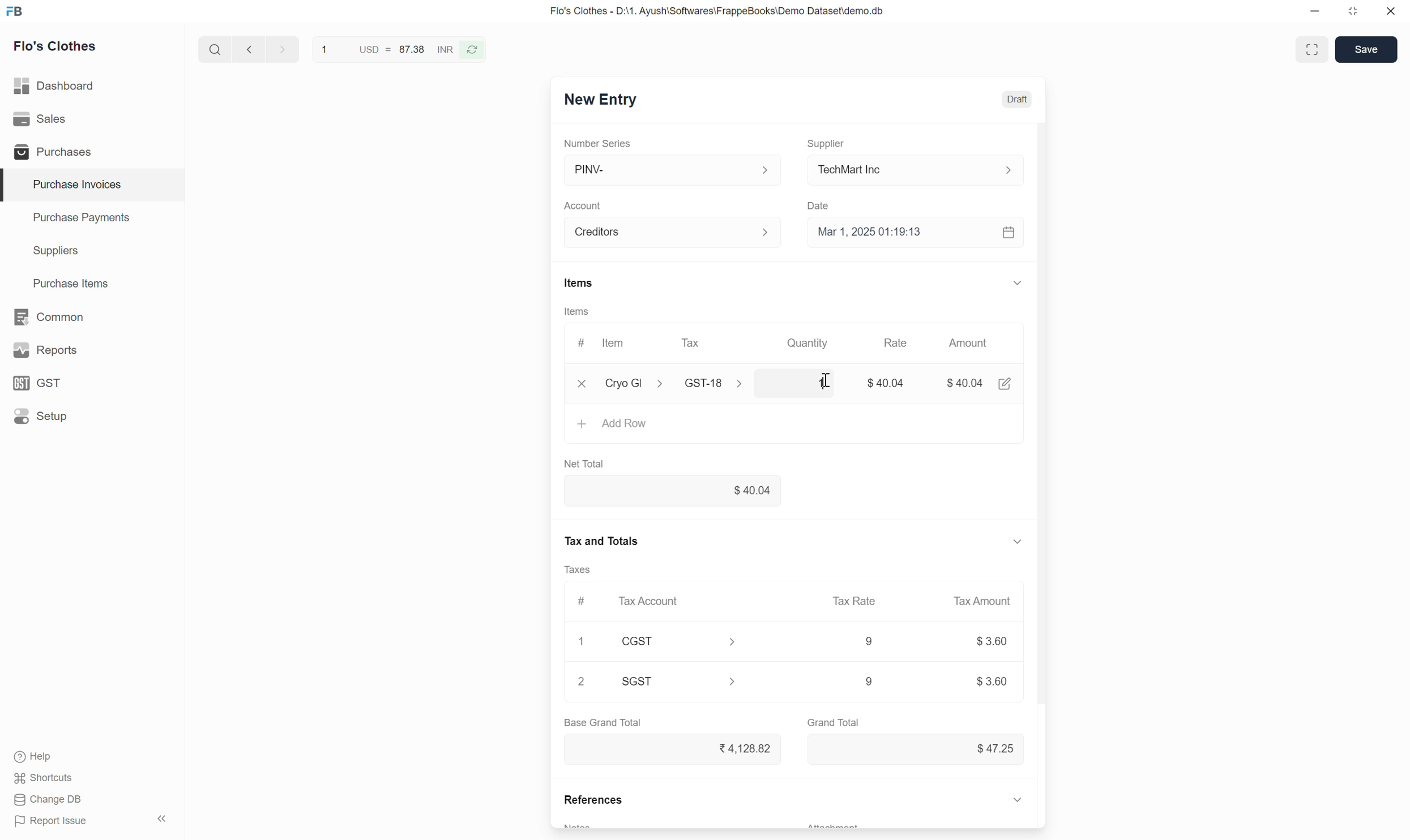 The height and width of the screenshot is (840, 1410). Describe the element at coordinates (832, 374) in the screenshot. I see `cursor` at that location.